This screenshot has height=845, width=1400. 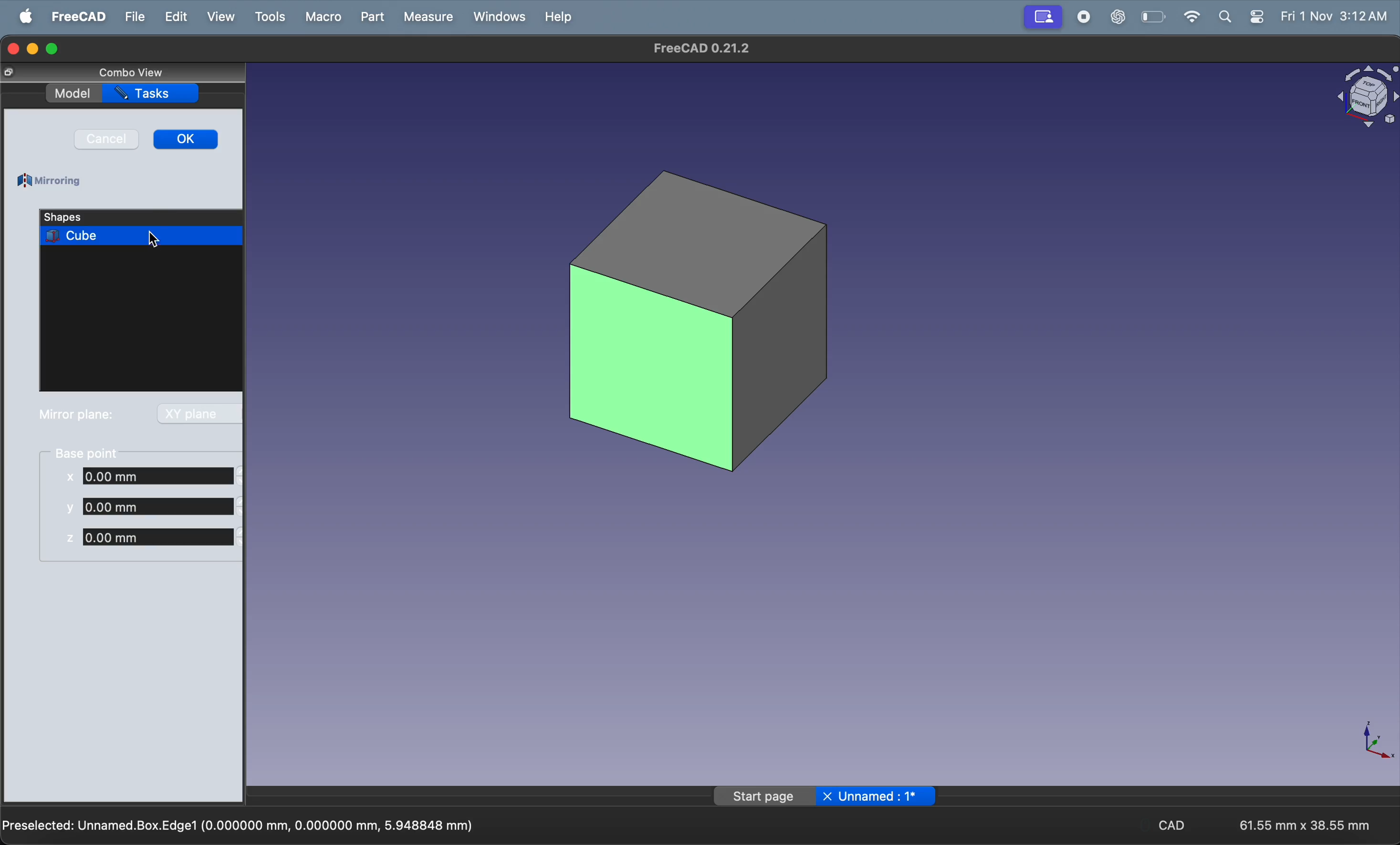 What do you see at coordinates (90, 452) in the screenshot?
I see `base point` at bounding box center [90, 452].